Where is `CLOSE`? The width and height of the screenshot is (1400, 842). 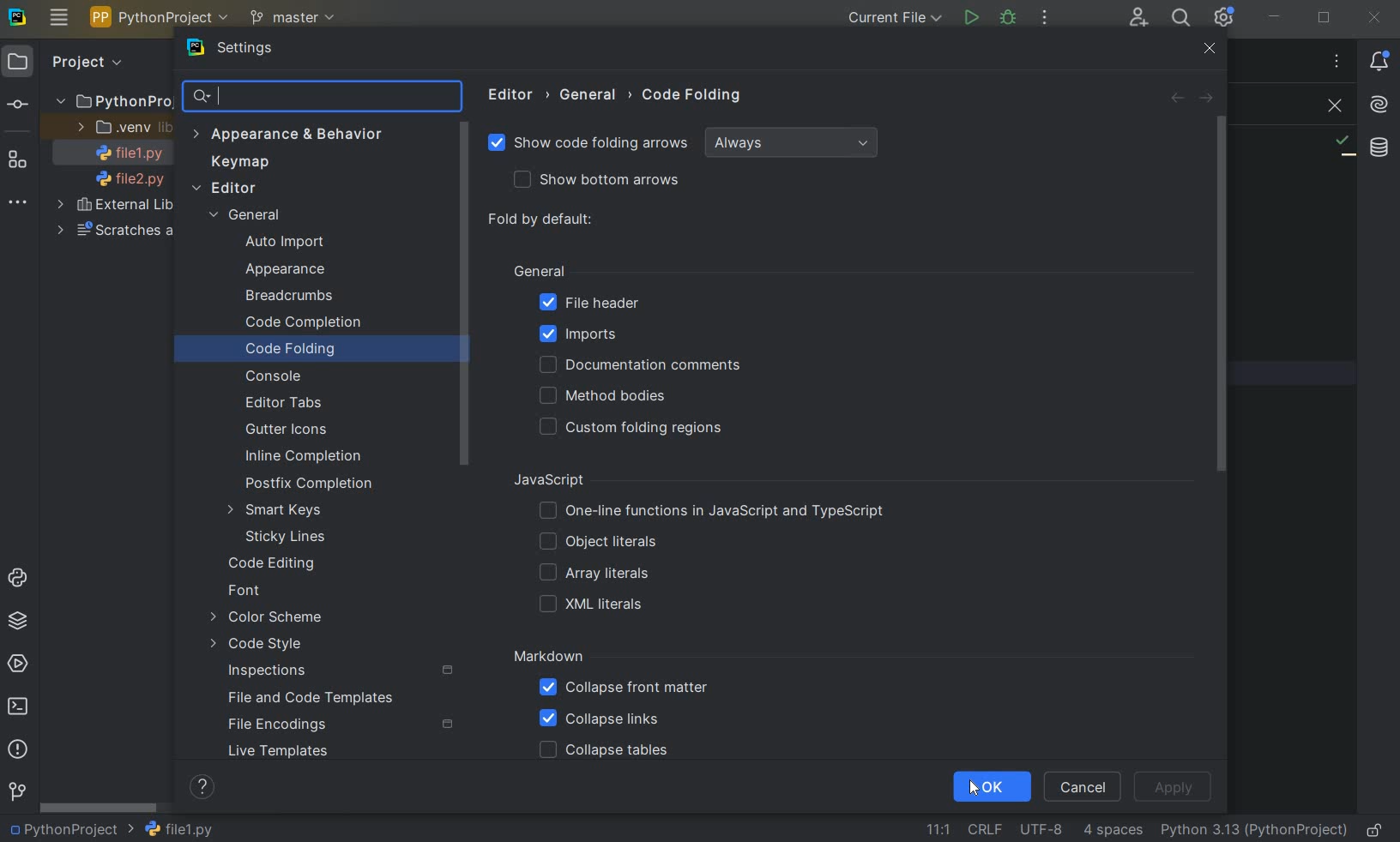 CLOSE is located at coordinates (1331, 106).